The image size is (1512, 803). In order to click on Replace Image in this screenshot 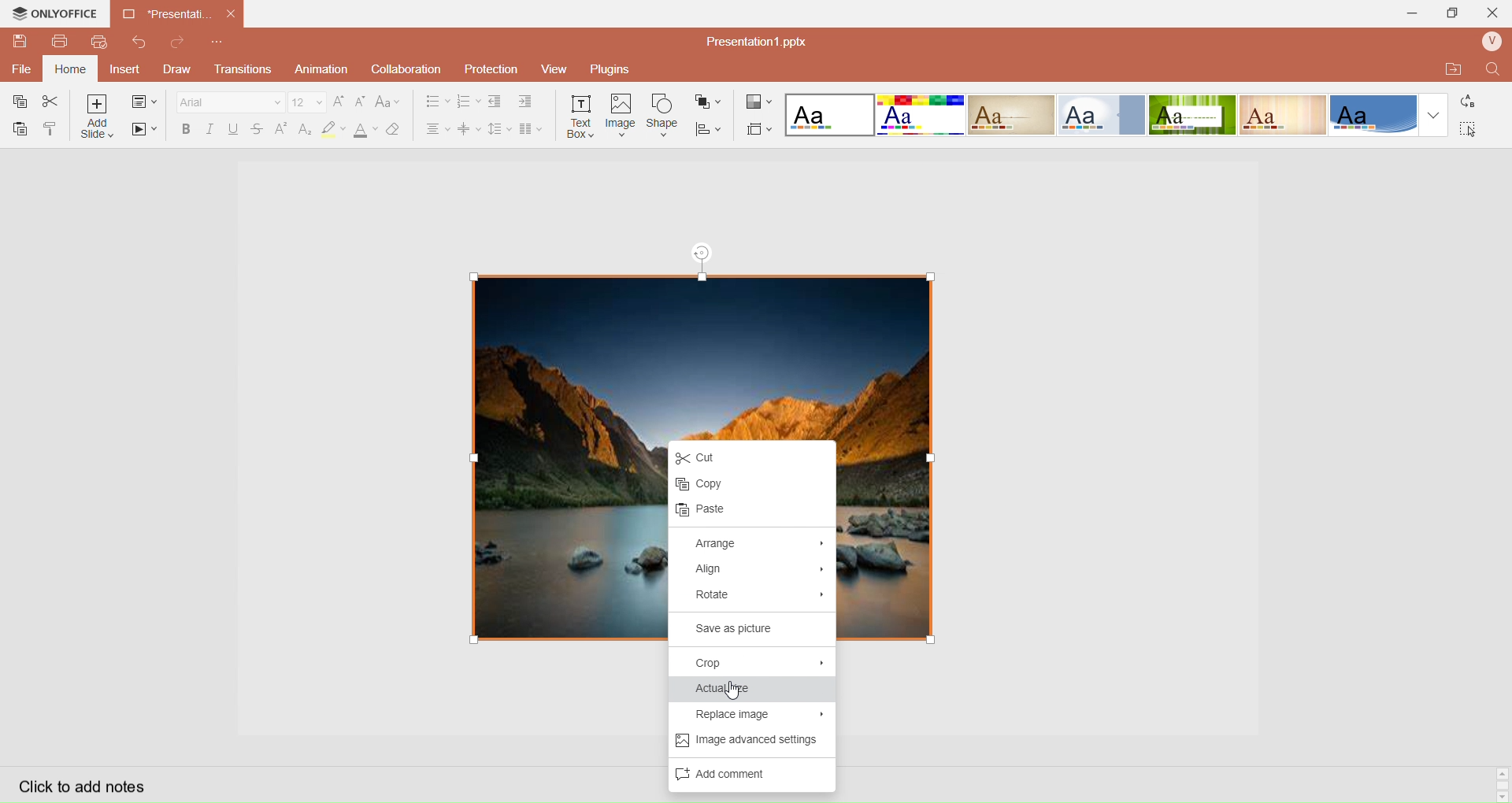, I will do `click(759, 714)`.